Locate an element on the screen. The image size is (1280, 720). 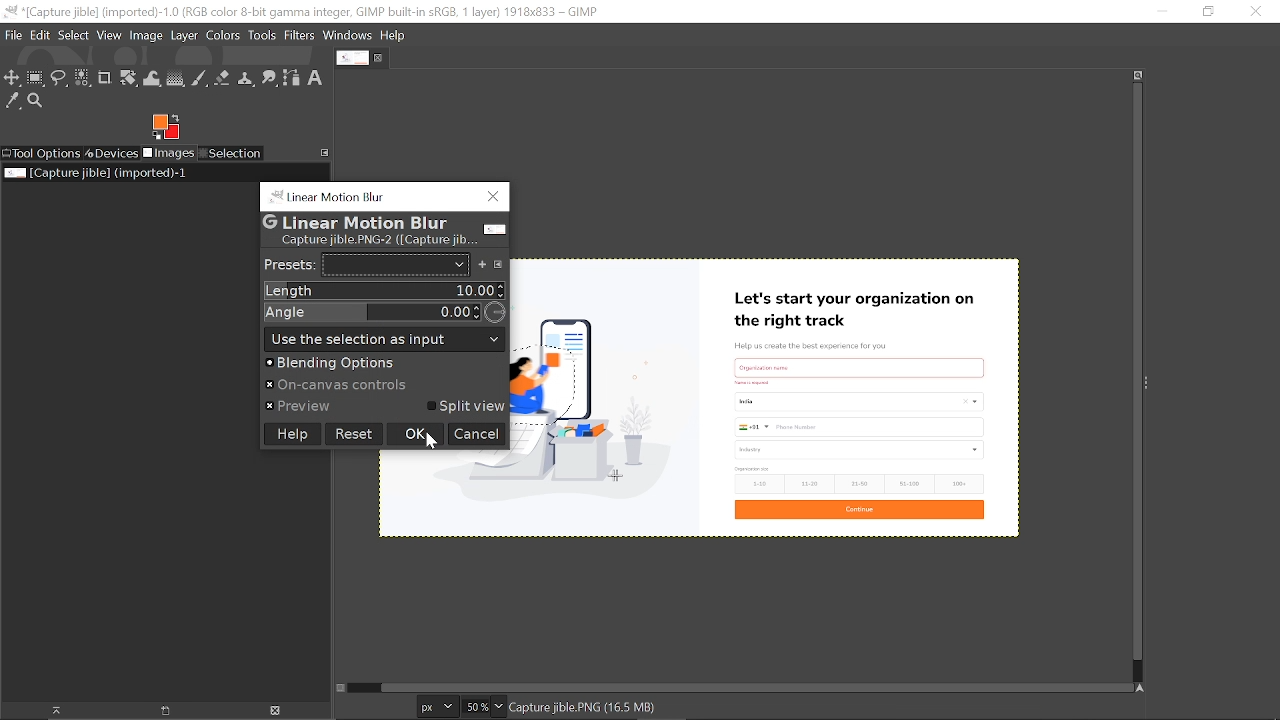
Capture jible.PNG(16.5 MB) is located at coordinates (583, 709).